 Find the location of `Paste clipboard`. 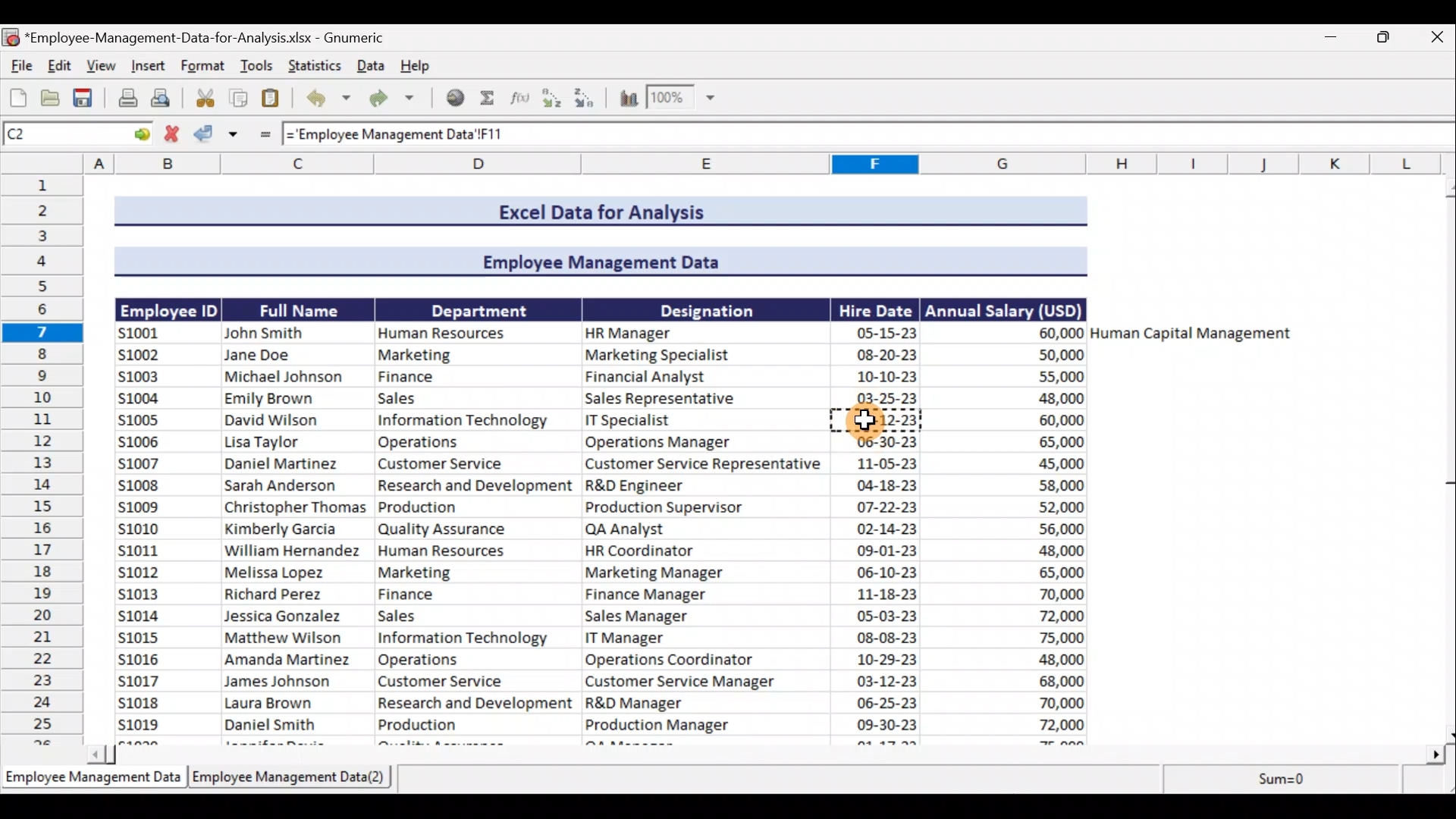

Paste clipboard is located at coordinates (275, 101).